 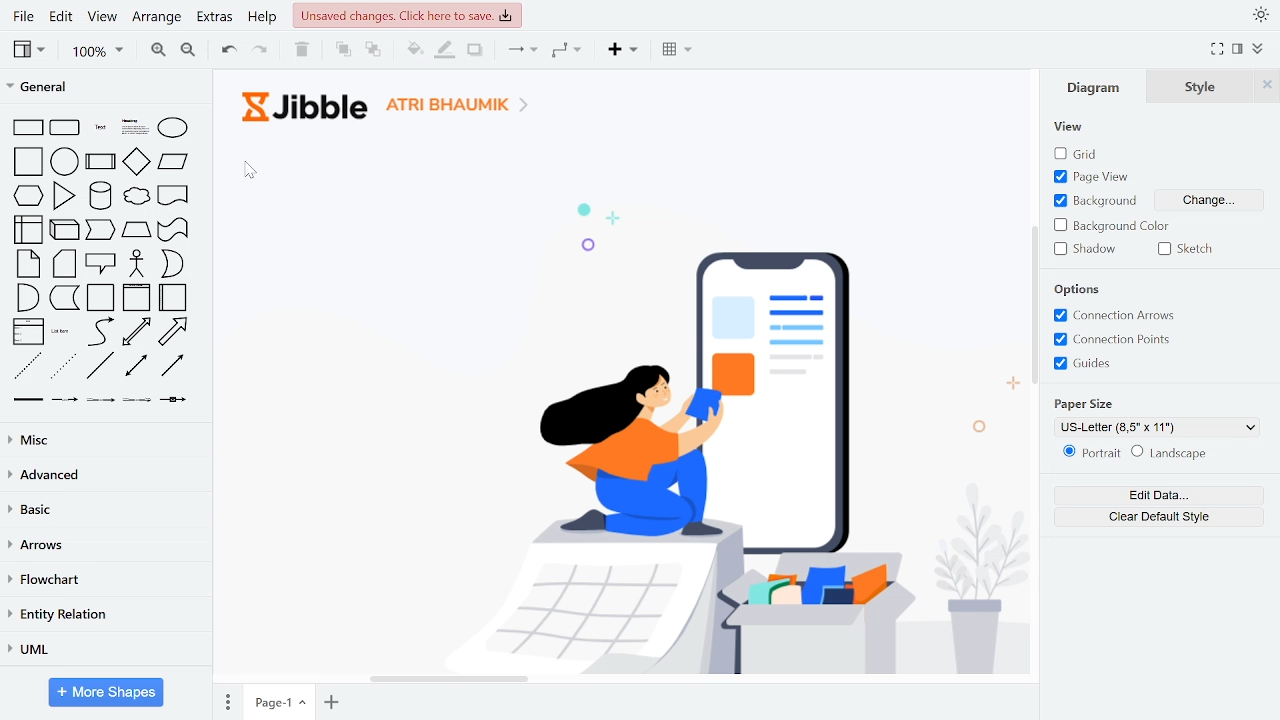 What do you see at coordinates (1082, 250) in the screenshot?
I see `shadow` at bounding box center [1082, 250].